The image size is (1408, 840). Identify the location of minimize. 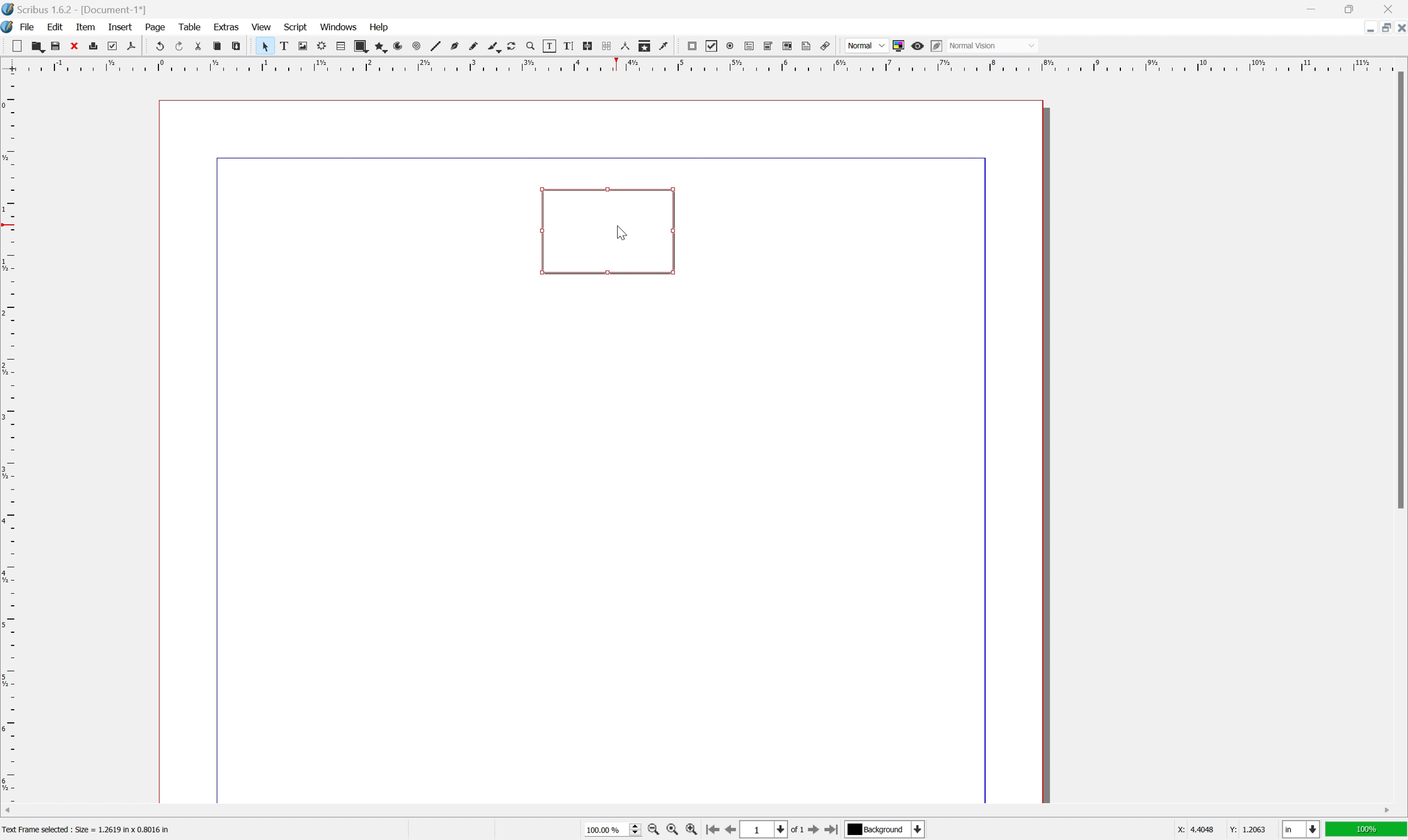
(1365, 27).